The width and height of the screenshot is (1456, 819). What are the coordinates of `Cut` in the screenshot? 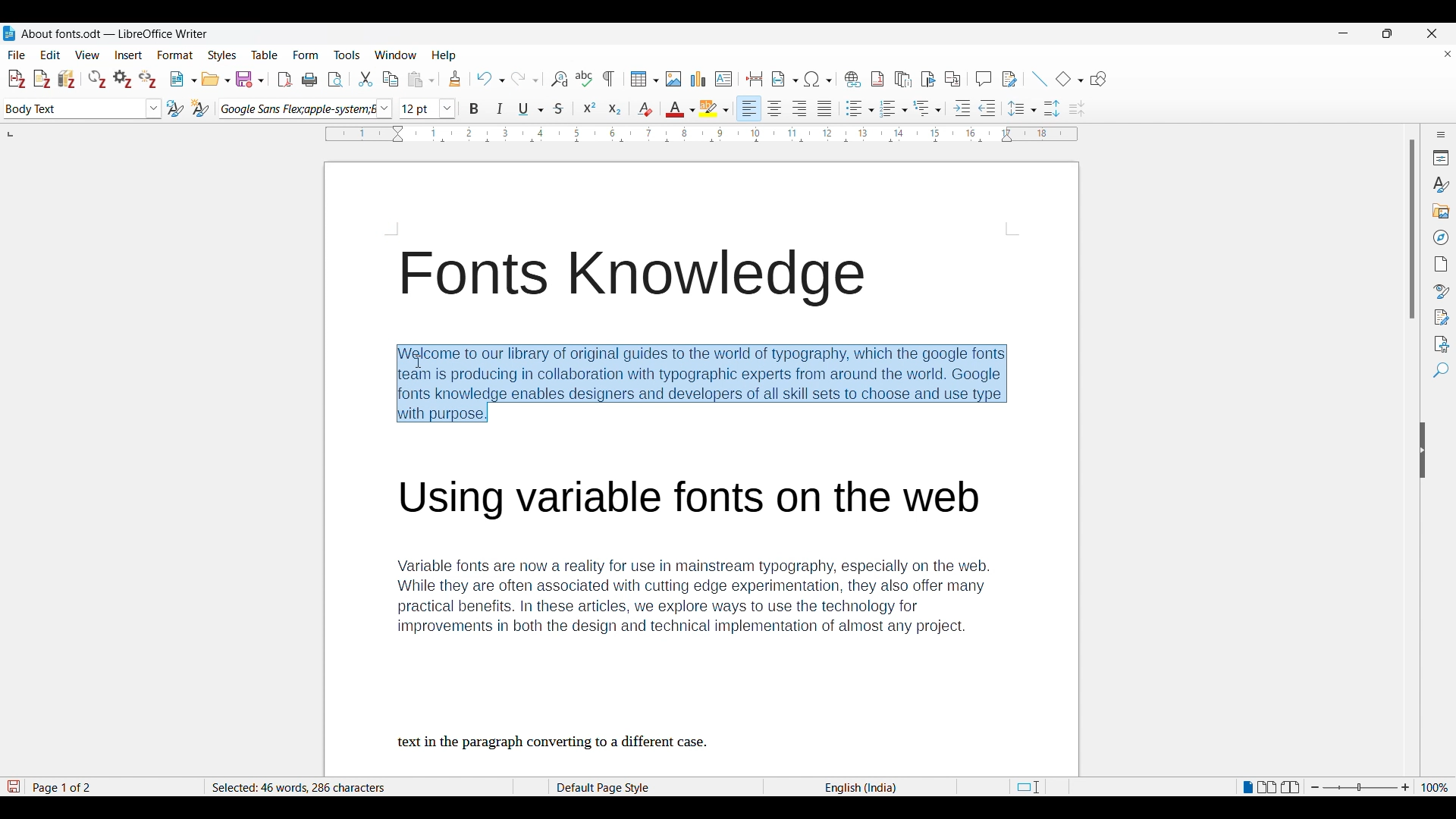 It's located at (366, 79).